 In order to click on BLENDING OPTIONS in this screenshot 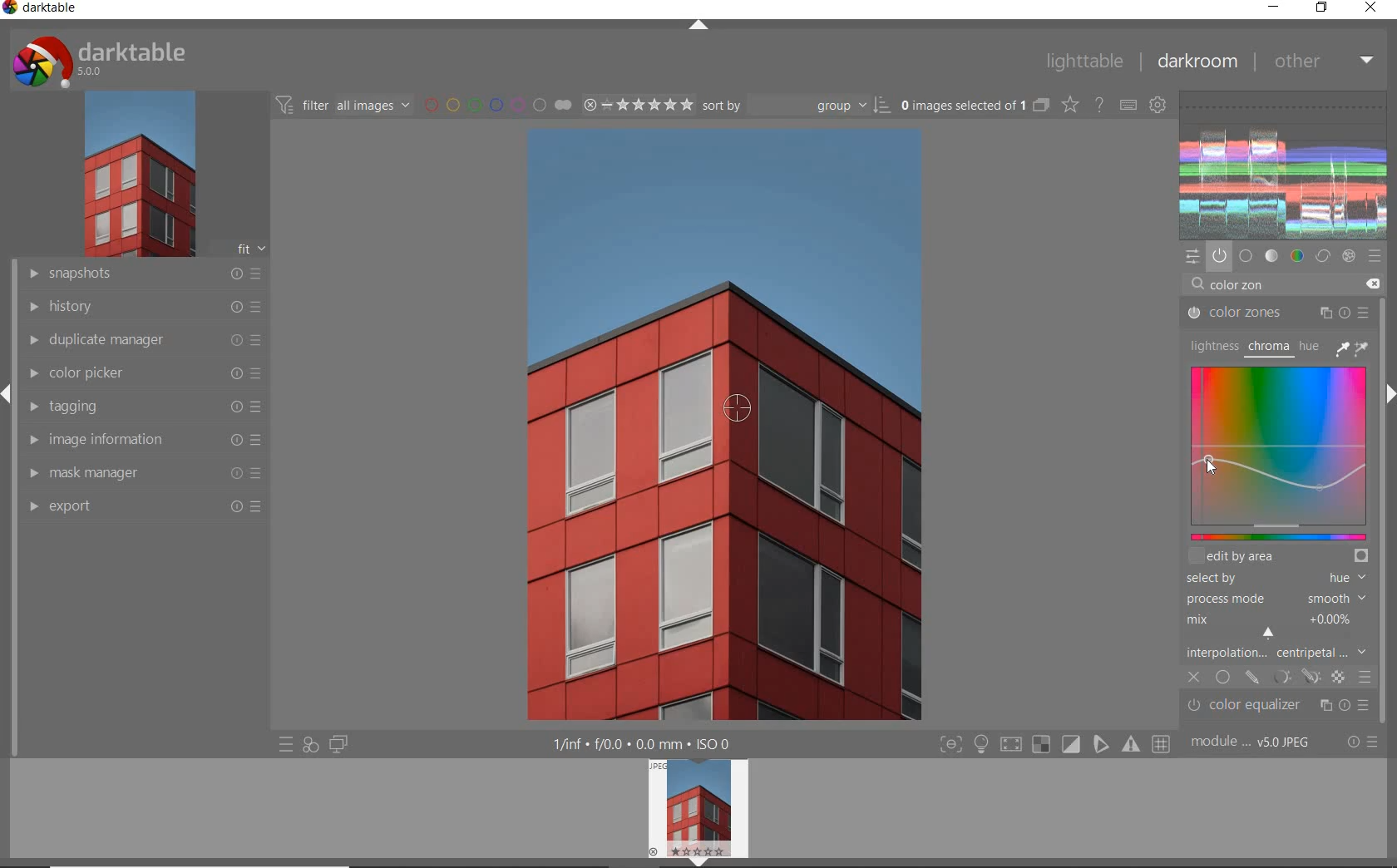, I will do `click(1365, 676)`.